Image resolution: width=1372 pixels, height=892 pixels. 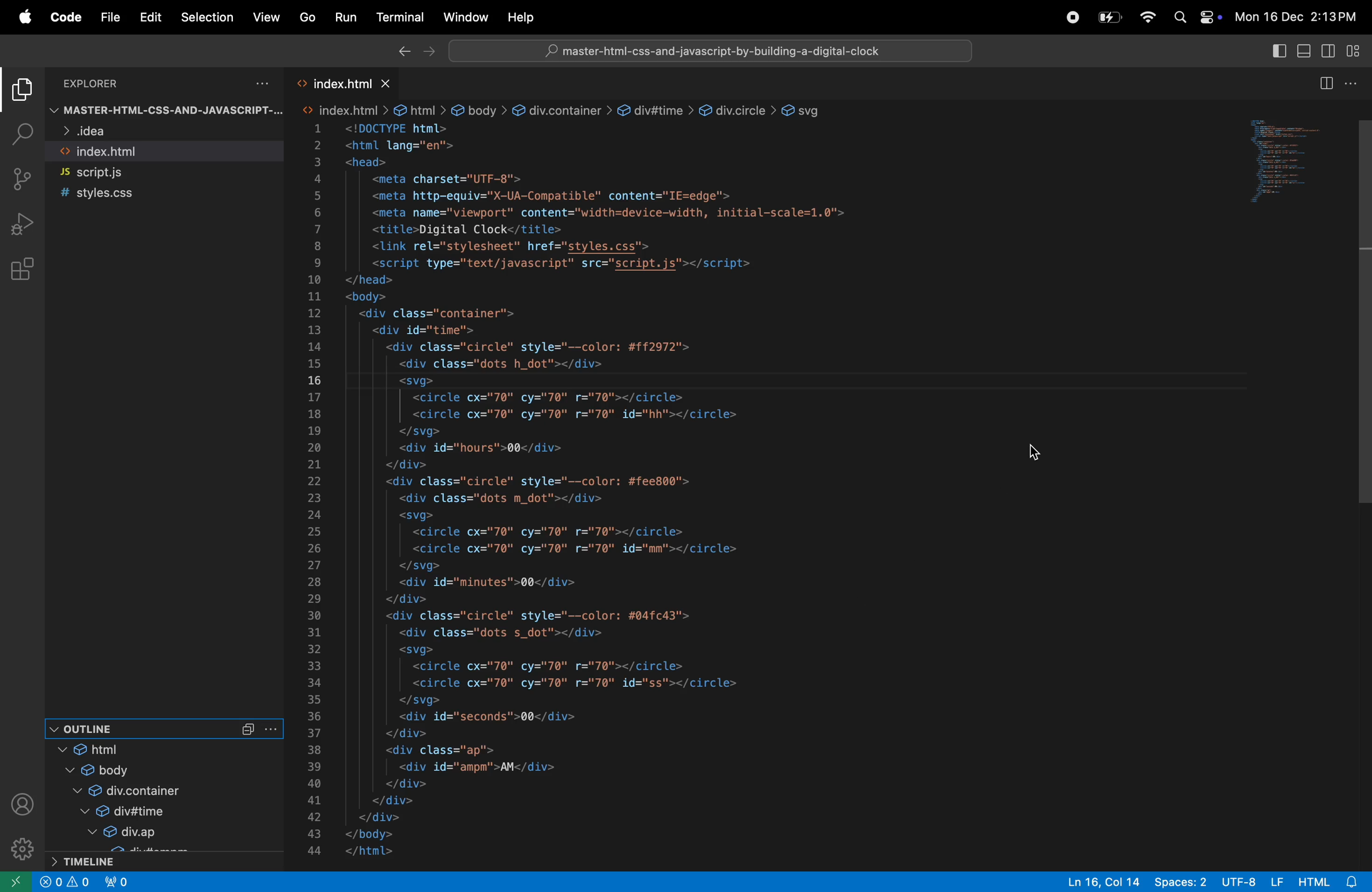 I want to click on div, so click(x=738, y=112).